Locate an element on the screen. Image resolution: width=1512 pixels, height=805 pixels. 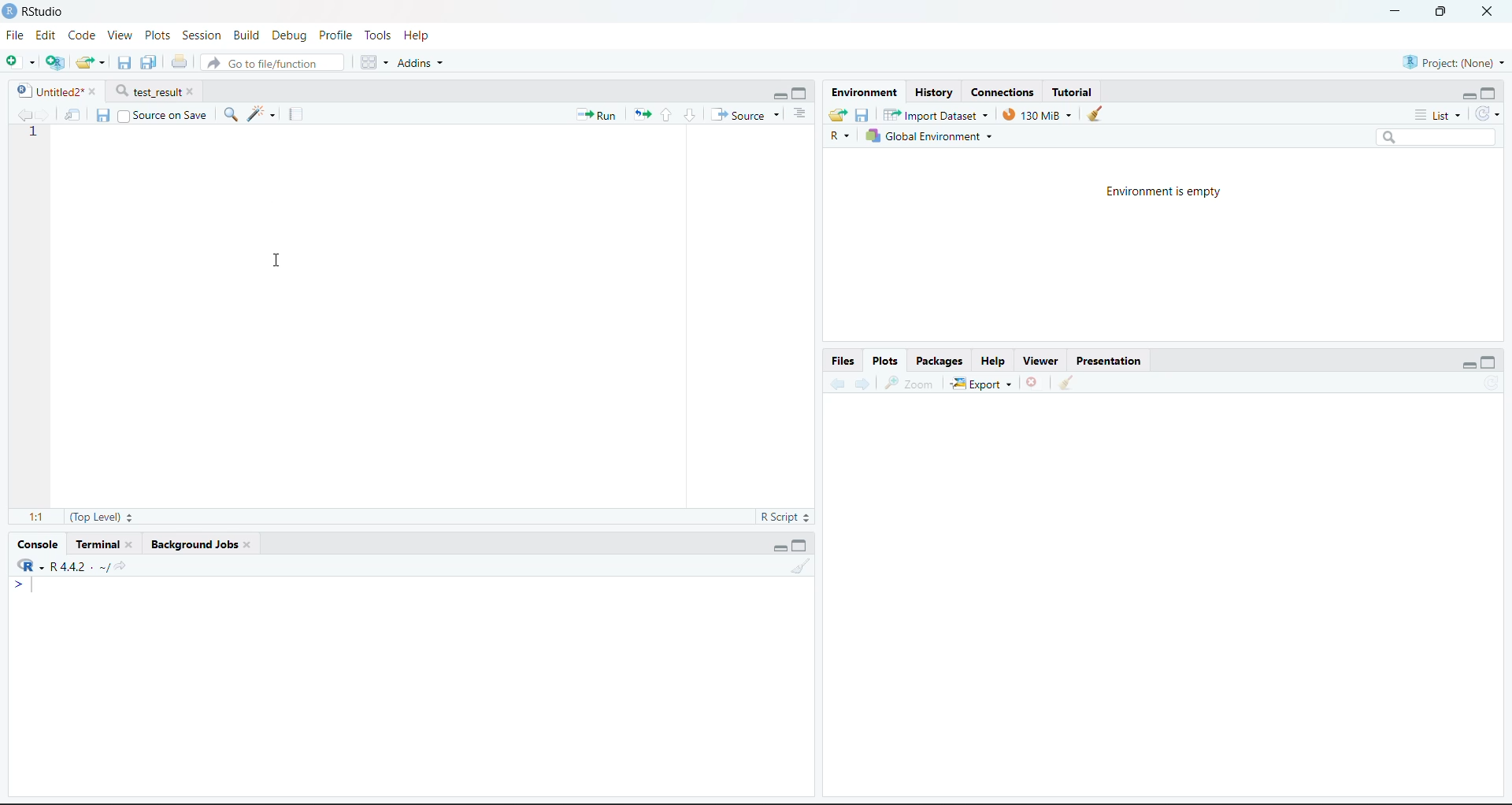
File is located at coordinates (13, 35).